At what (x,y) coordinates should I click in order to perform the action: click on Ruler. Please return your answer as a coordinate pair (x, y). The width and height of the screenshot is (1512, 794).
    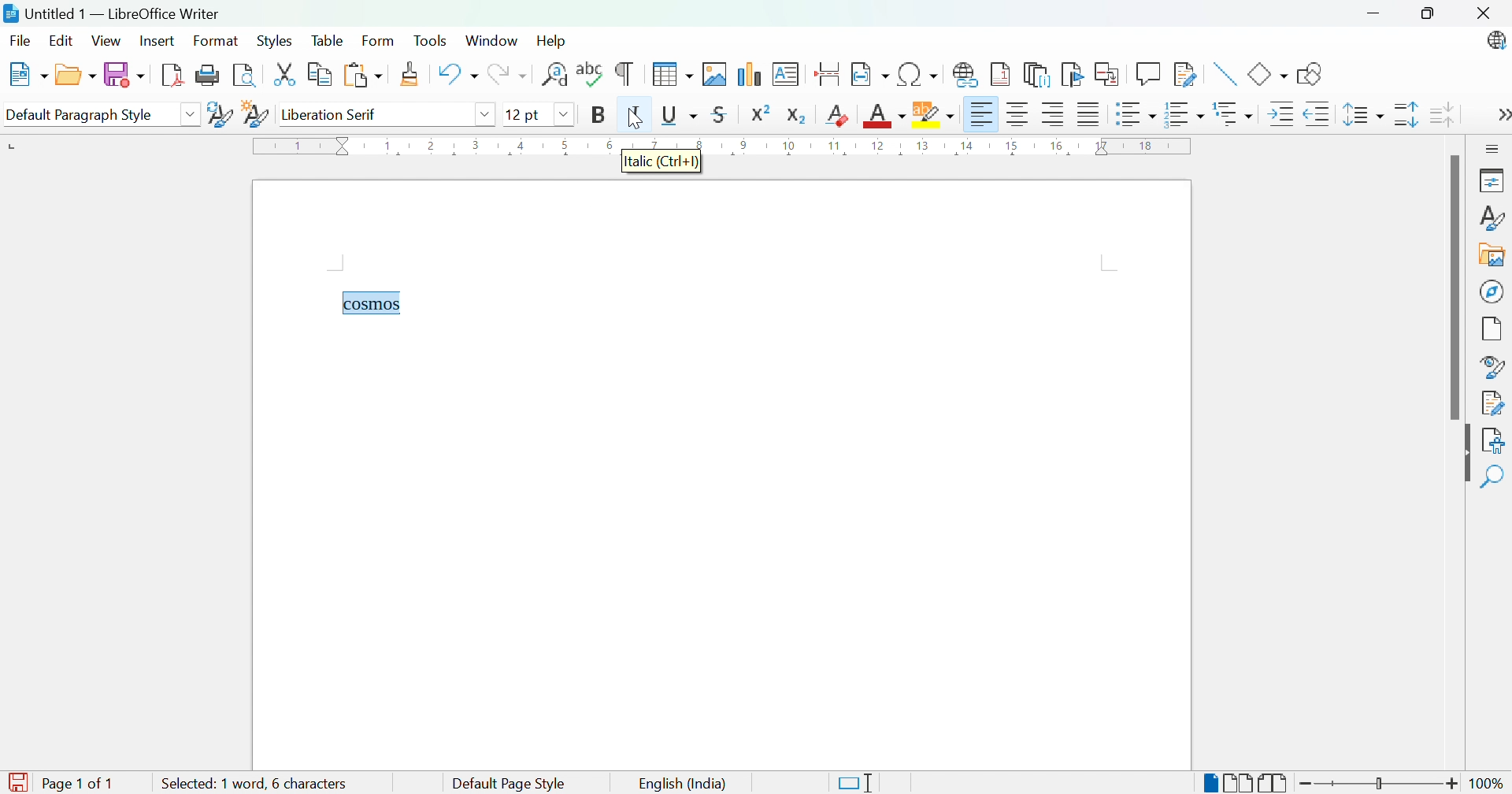
    Looking at the image, I should click on (724, 148).